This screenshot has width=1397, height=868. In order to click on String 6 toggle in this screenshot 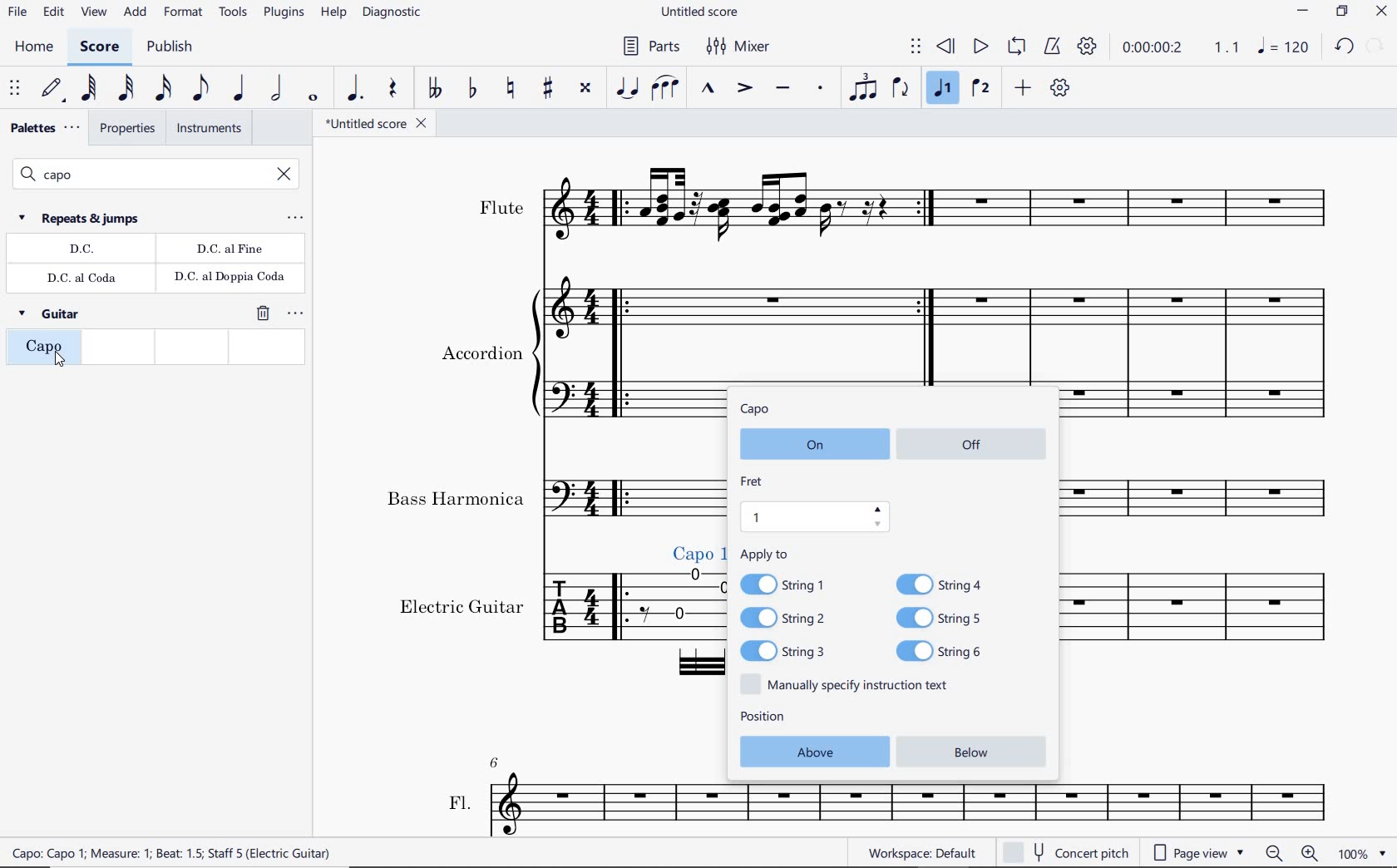, I will do `click(952, 651)`.